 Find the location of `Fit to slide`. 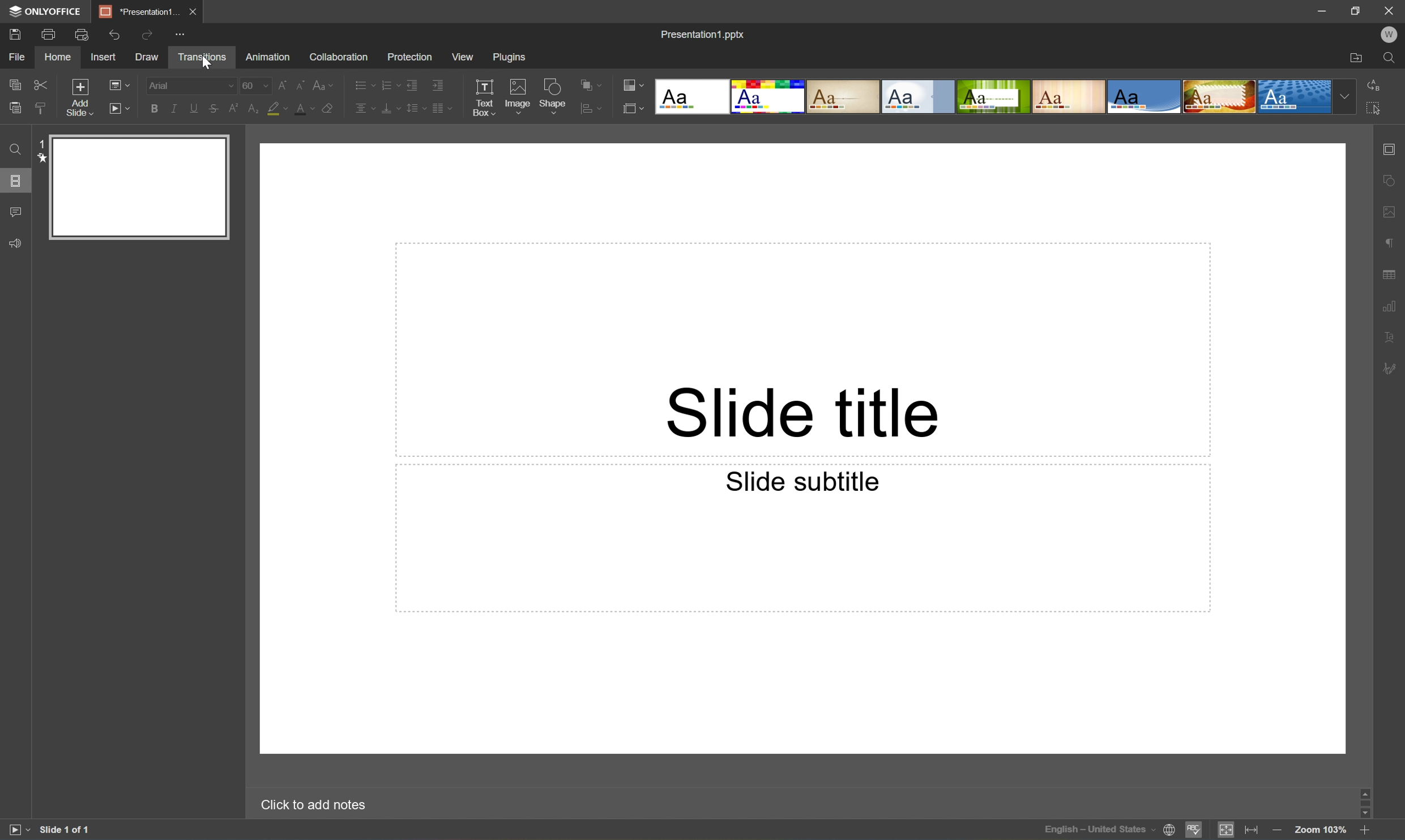

Fit to slide is located at coordinates (1225, 832).